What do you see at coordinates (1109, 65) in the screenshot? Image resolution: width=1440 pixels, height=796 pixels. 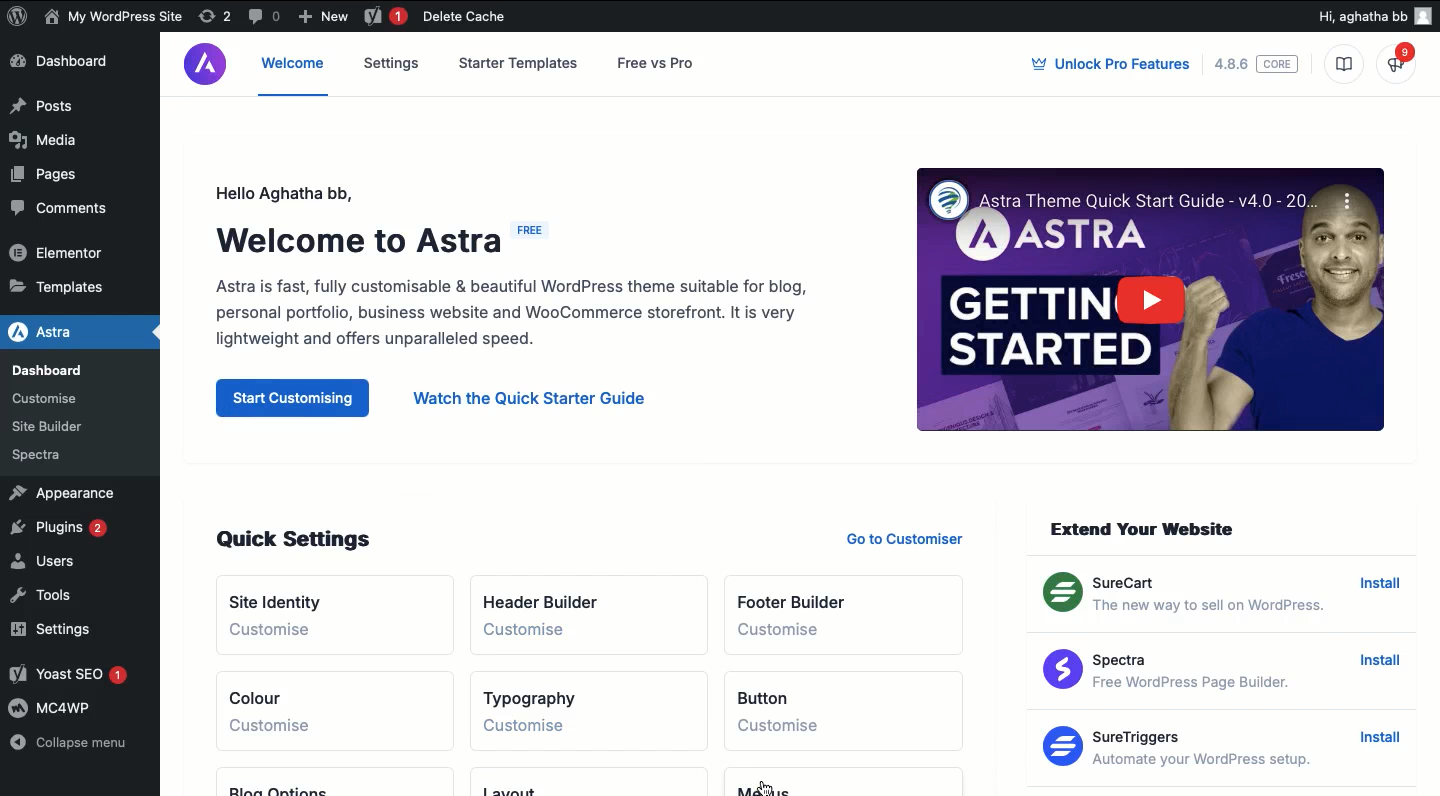 I see `Unlock pro features` at bounding box center [1109, 65].